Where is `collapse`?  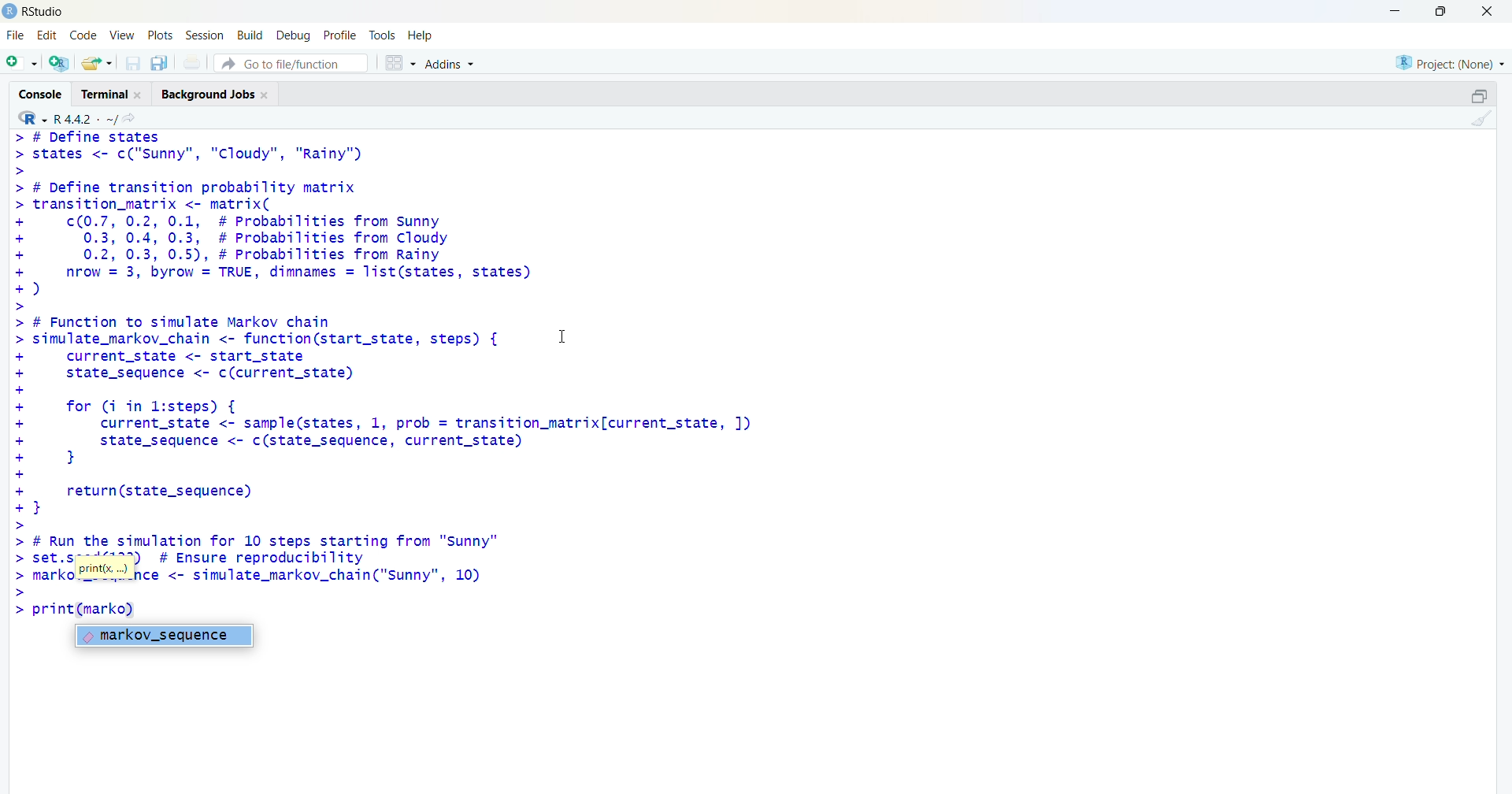
collapse is located at coordinates (1478, 96).